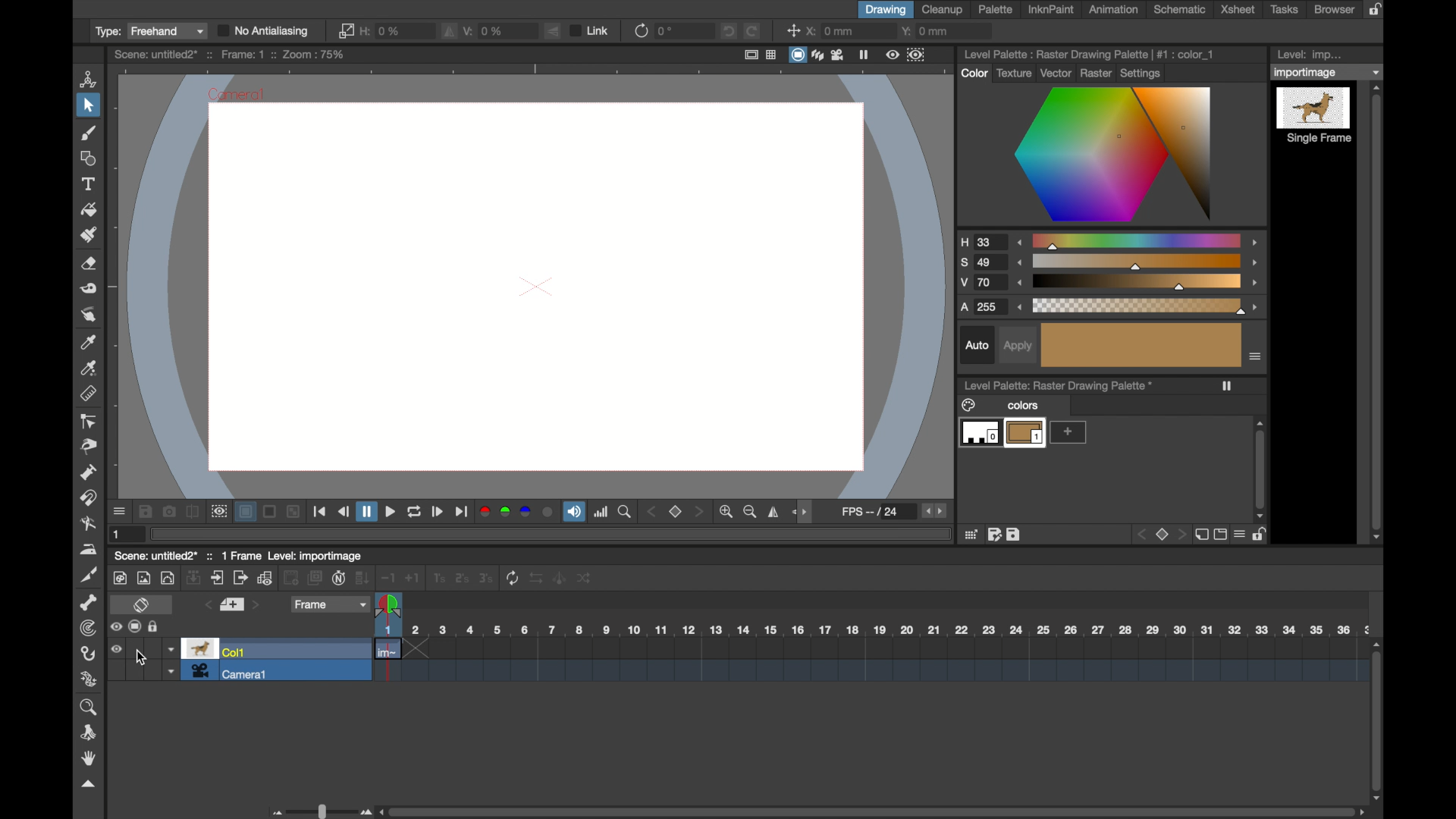 The image size is (1456, 819). What do you see at coordinates (981, 284) in the screenshot?
I see `V` at bounding box center [981, 284].